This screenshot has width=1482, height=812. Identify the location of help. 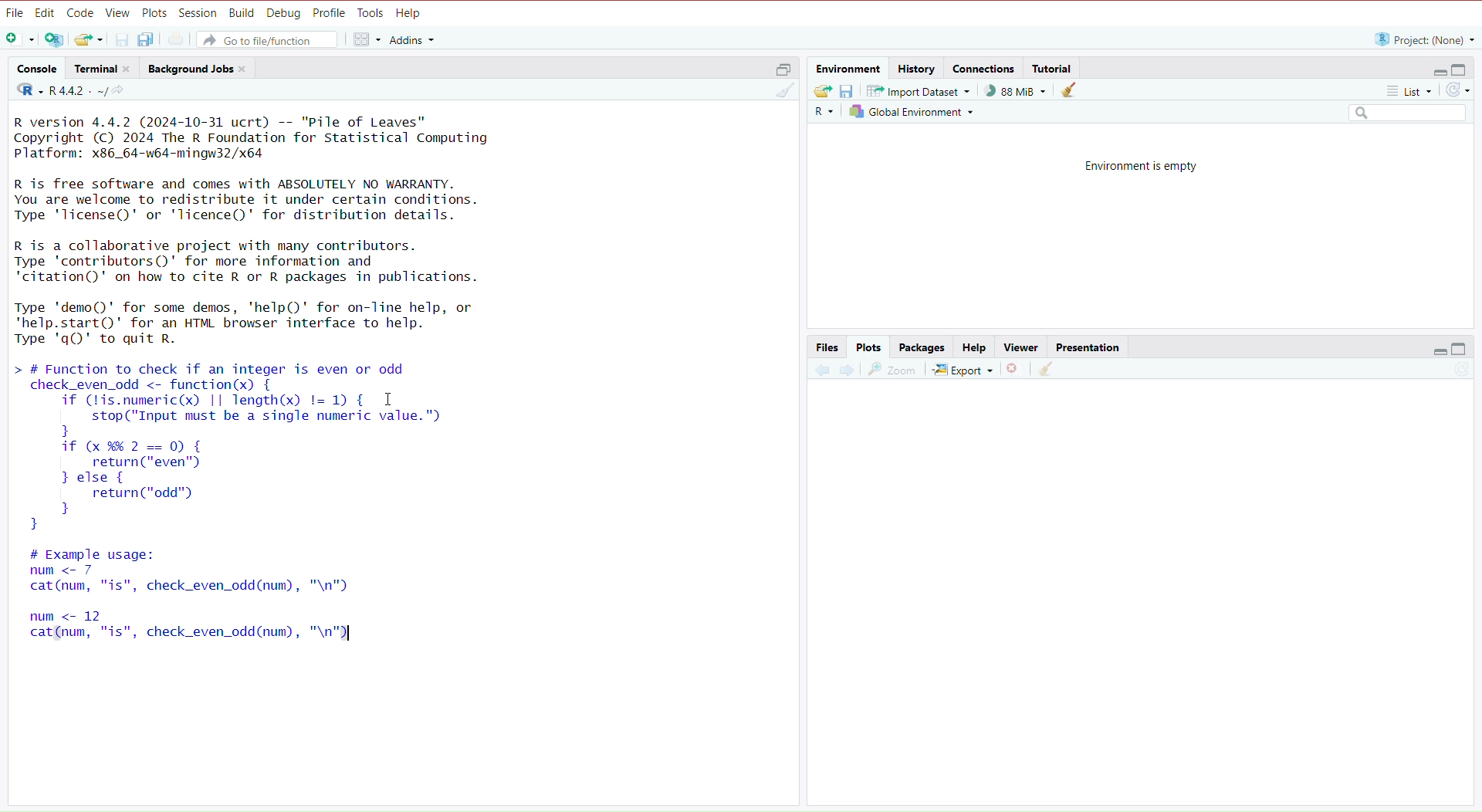
(411, 14).